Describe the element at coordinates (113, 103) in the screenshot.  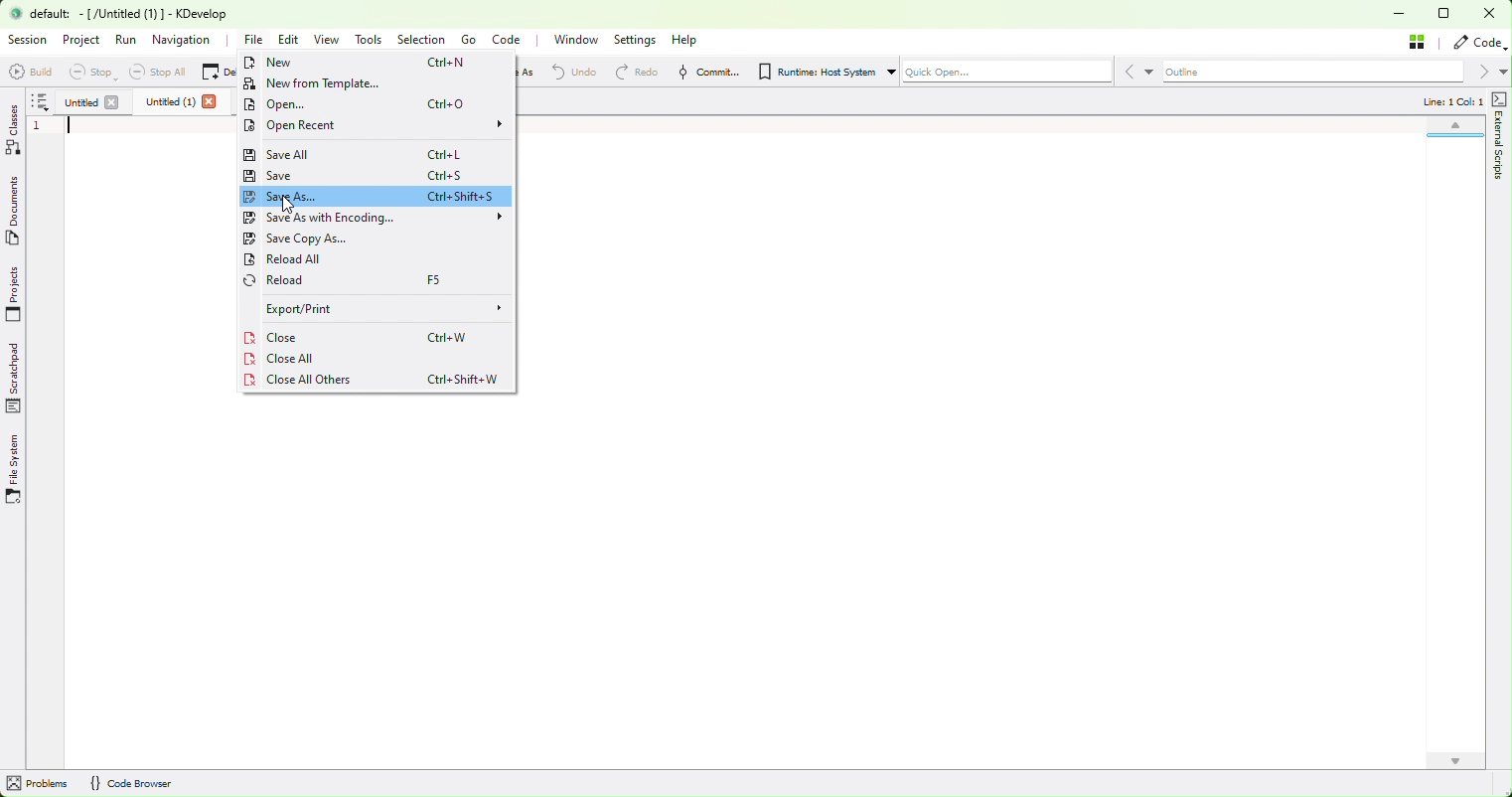
I see `close file` at that location.